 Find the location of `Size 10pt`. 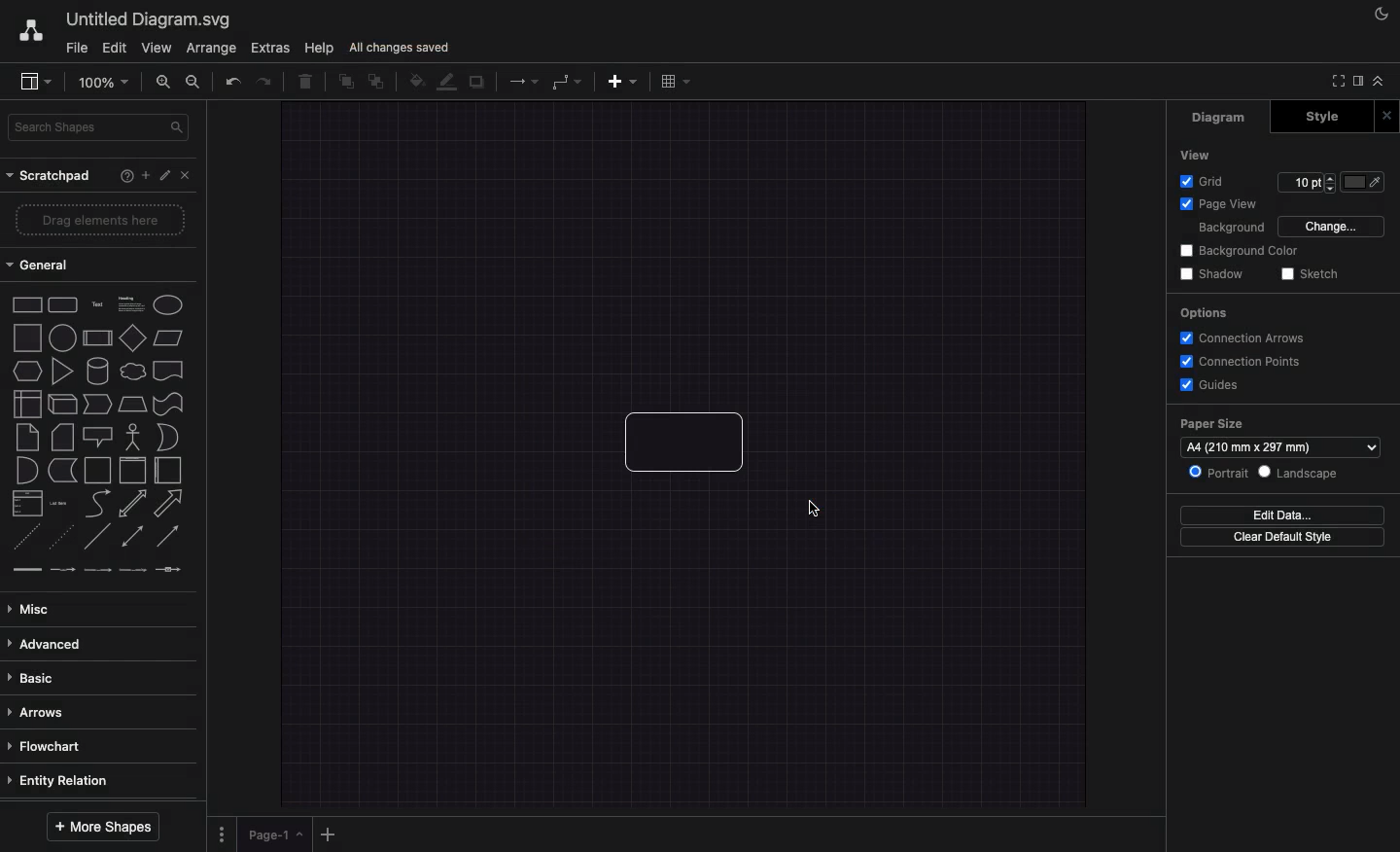

Size 10pt is located at coordinates (1307, 183).